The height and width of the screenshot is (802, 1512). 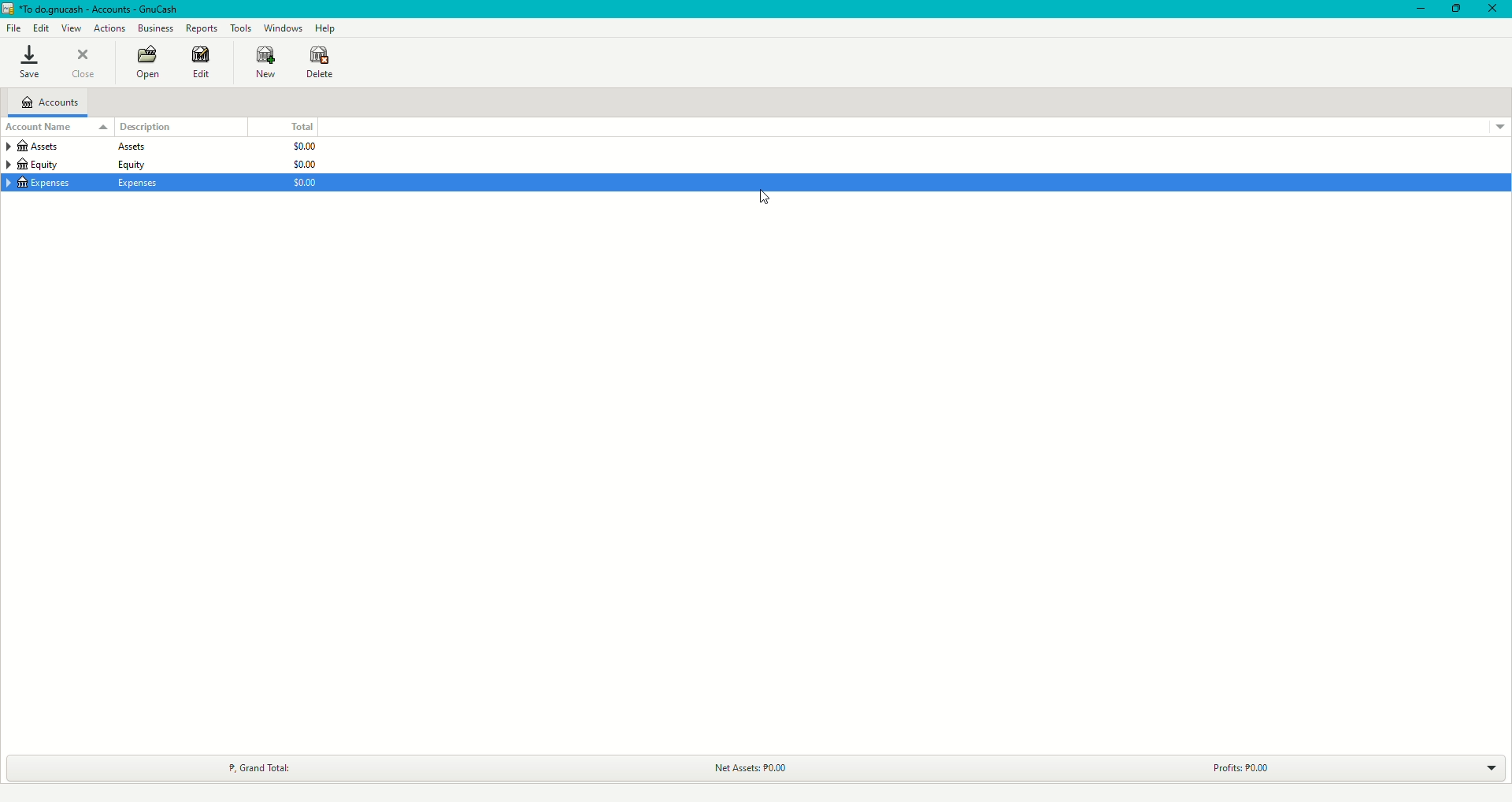 What do you see at coordinates (283, 28) in the screenshot?
I see `Windows` at bounding box center [283, 28].